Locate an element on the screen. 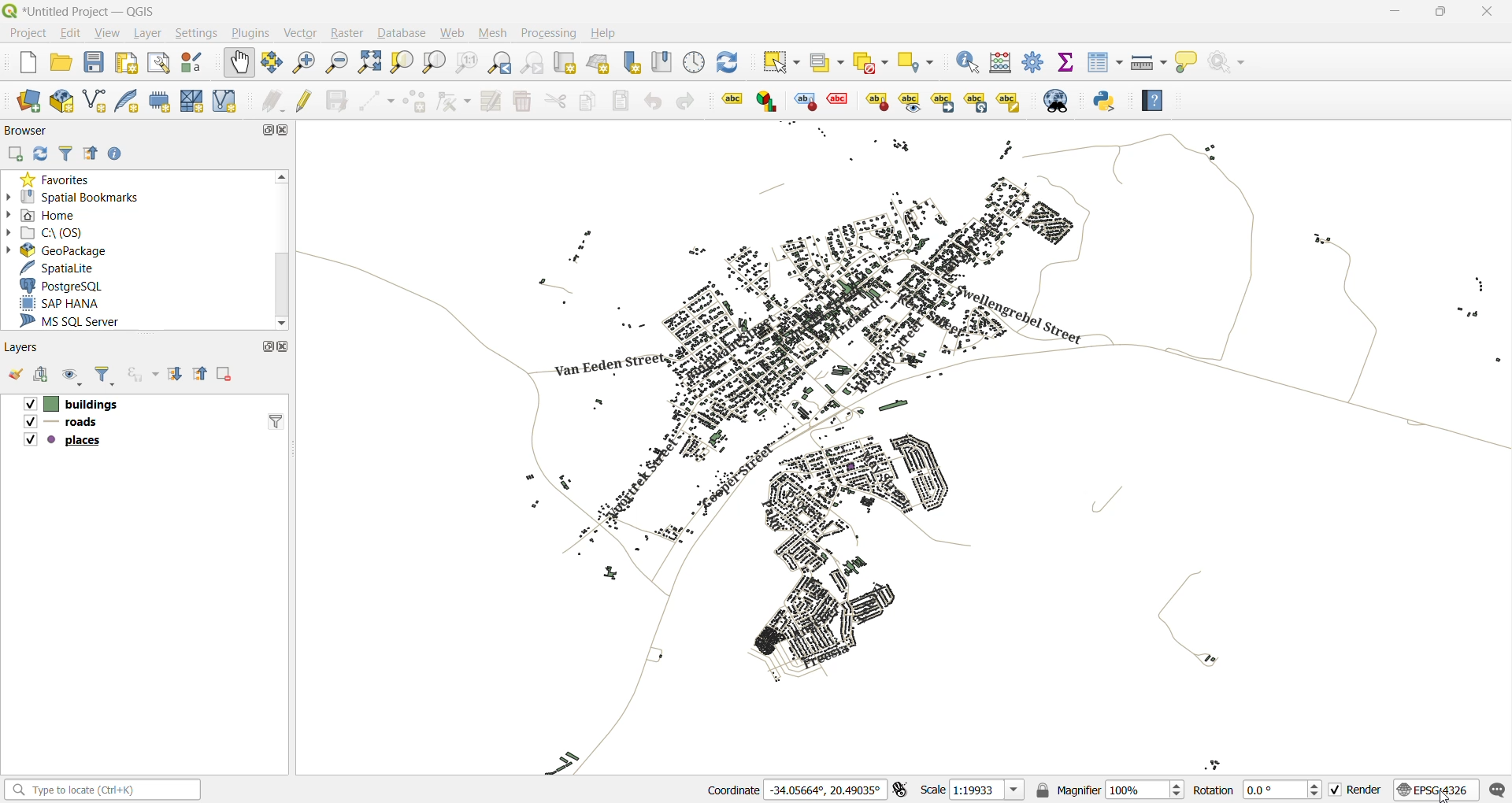  zoom in is located at coordinates (304, 64).